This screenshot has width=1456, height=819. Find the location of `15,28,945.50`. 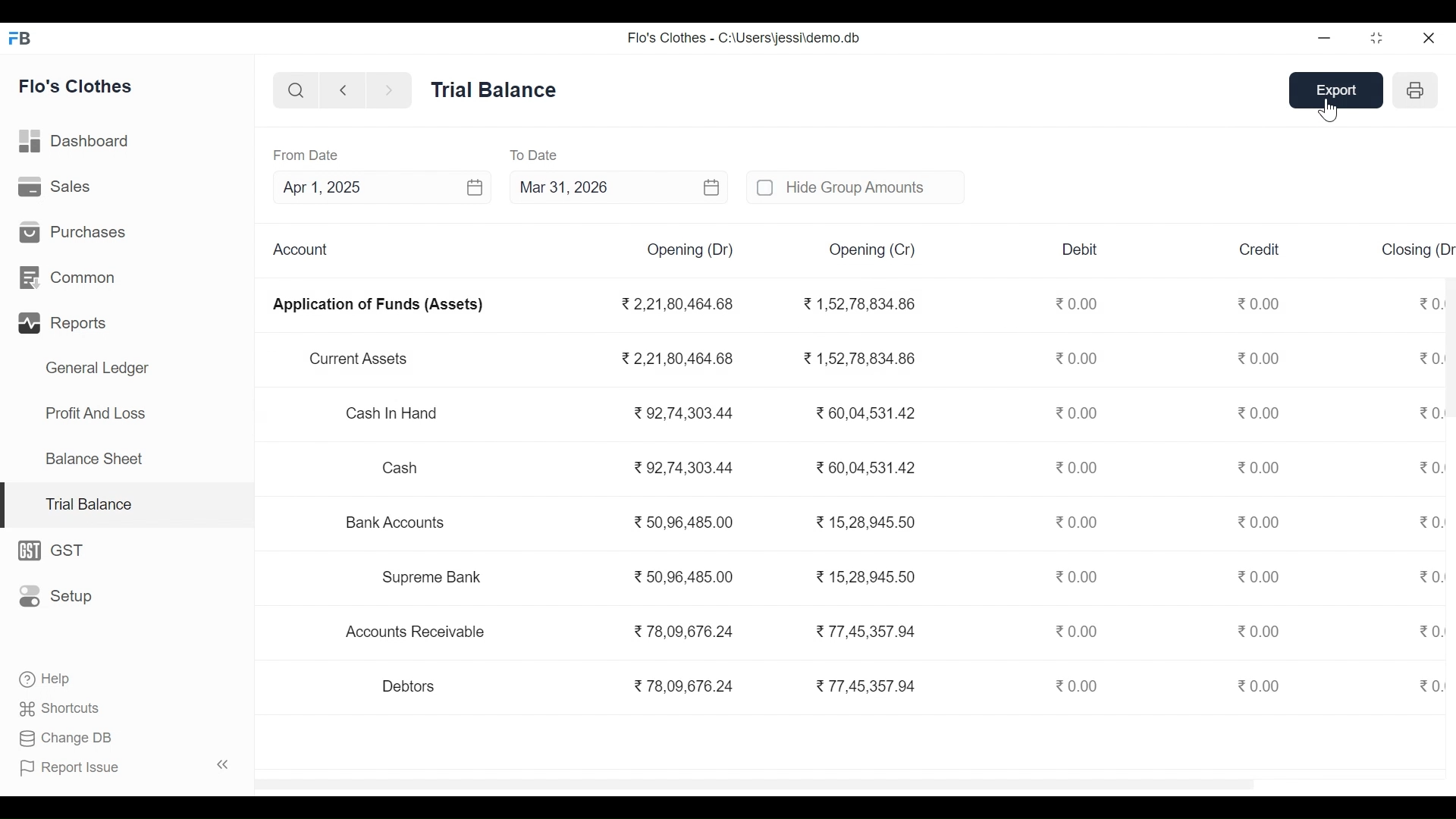

15,28,945.50 is located at coordinates (868, 576).